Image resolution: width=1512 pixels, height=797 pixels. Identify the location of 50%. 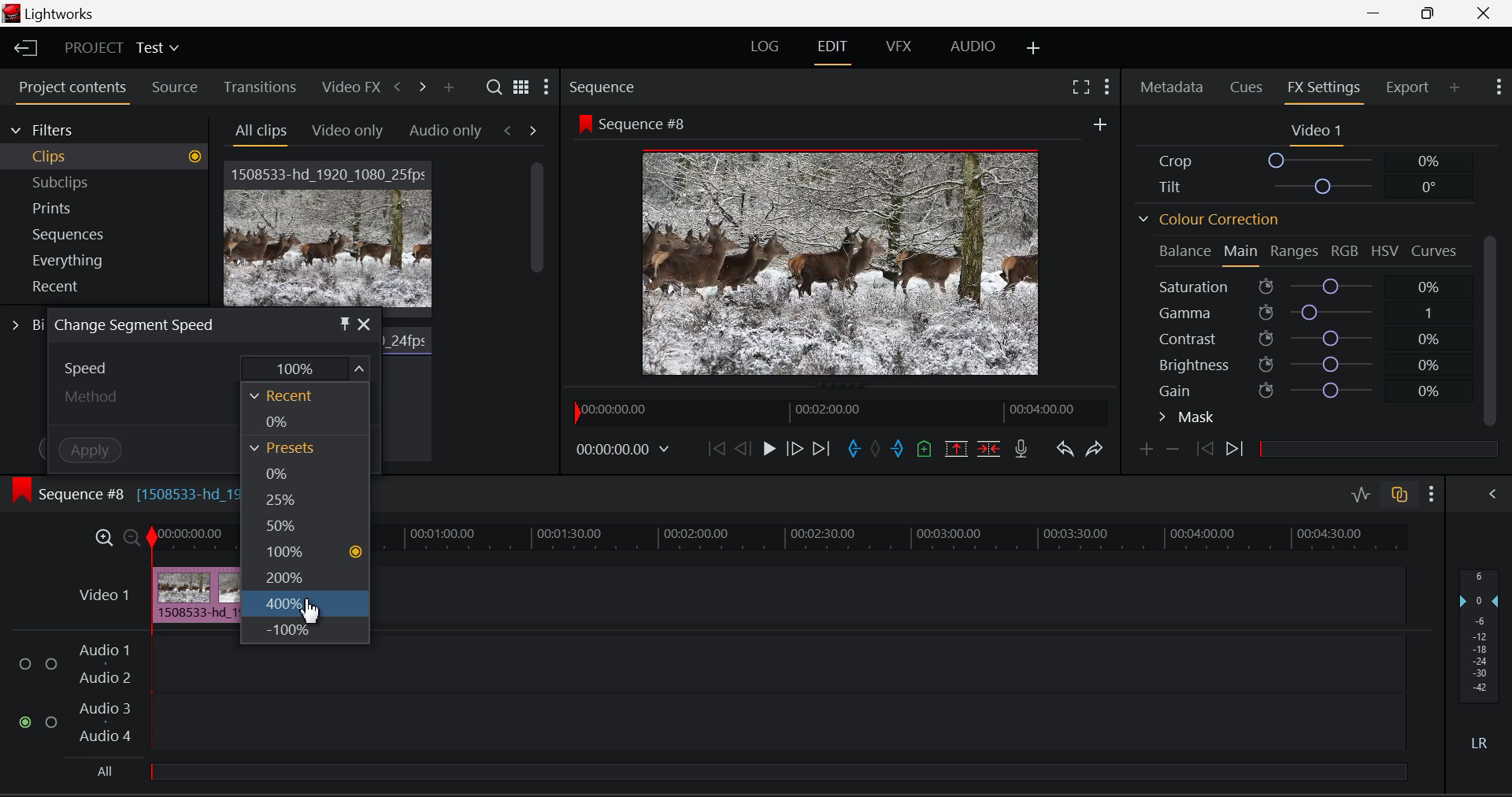
(302, 527).